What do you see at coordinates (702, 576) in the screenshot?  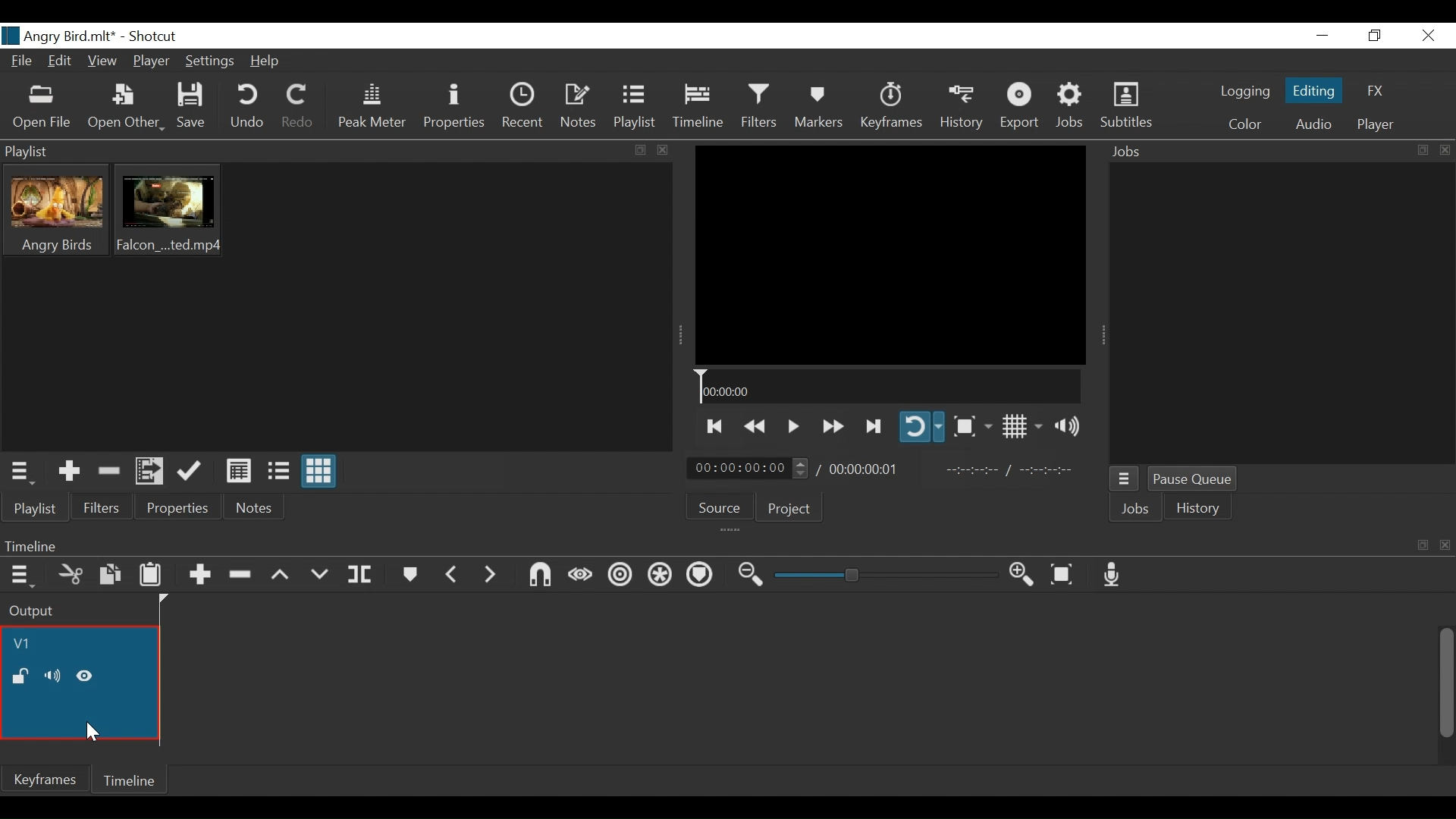 I see `Ripple markers` at bounding box center [702, 576].